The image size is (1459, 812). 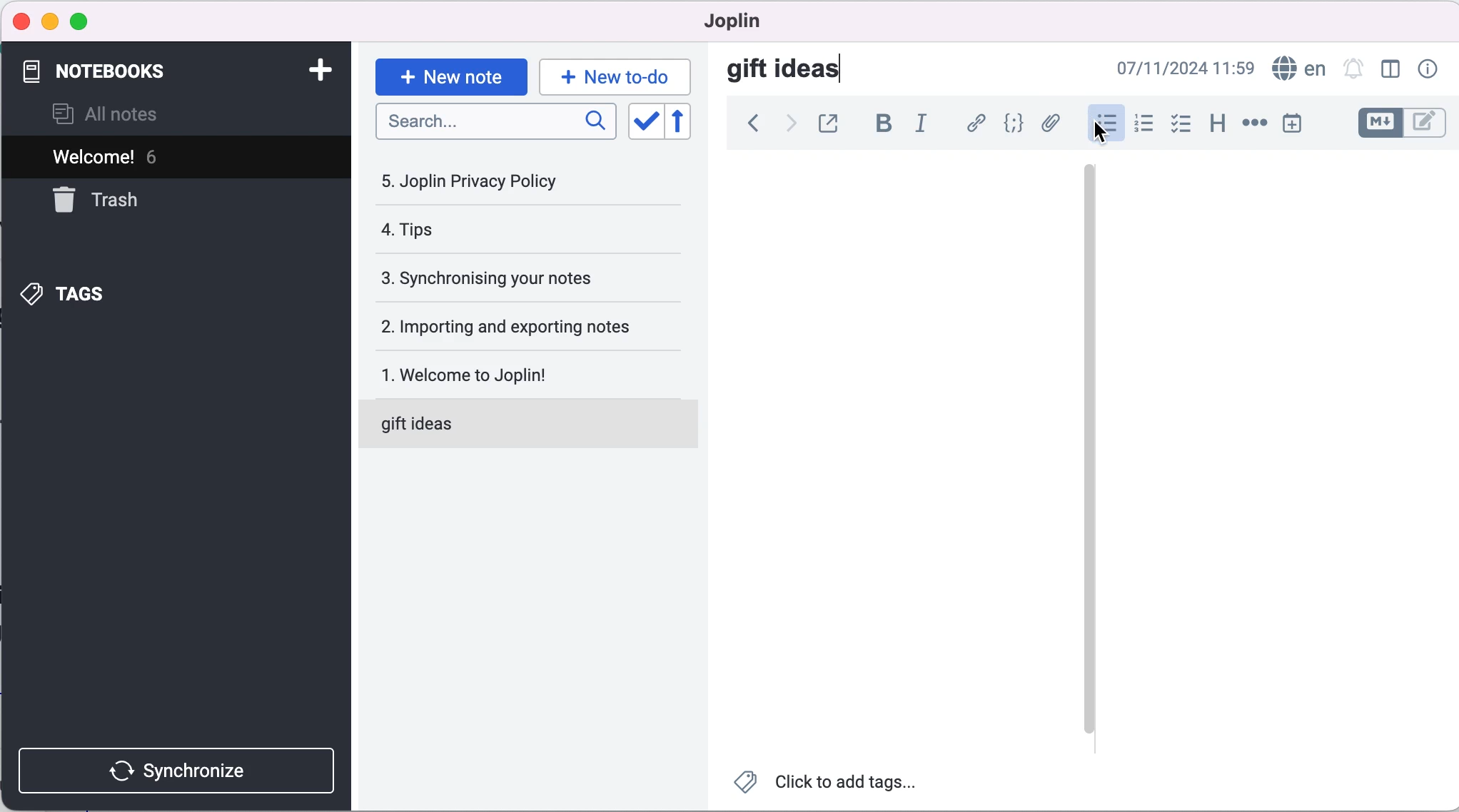 What do you see at coordinates (1390, 70) in the screenshot?
I see `toggle editor layout` at bounding box center [1390, 70].